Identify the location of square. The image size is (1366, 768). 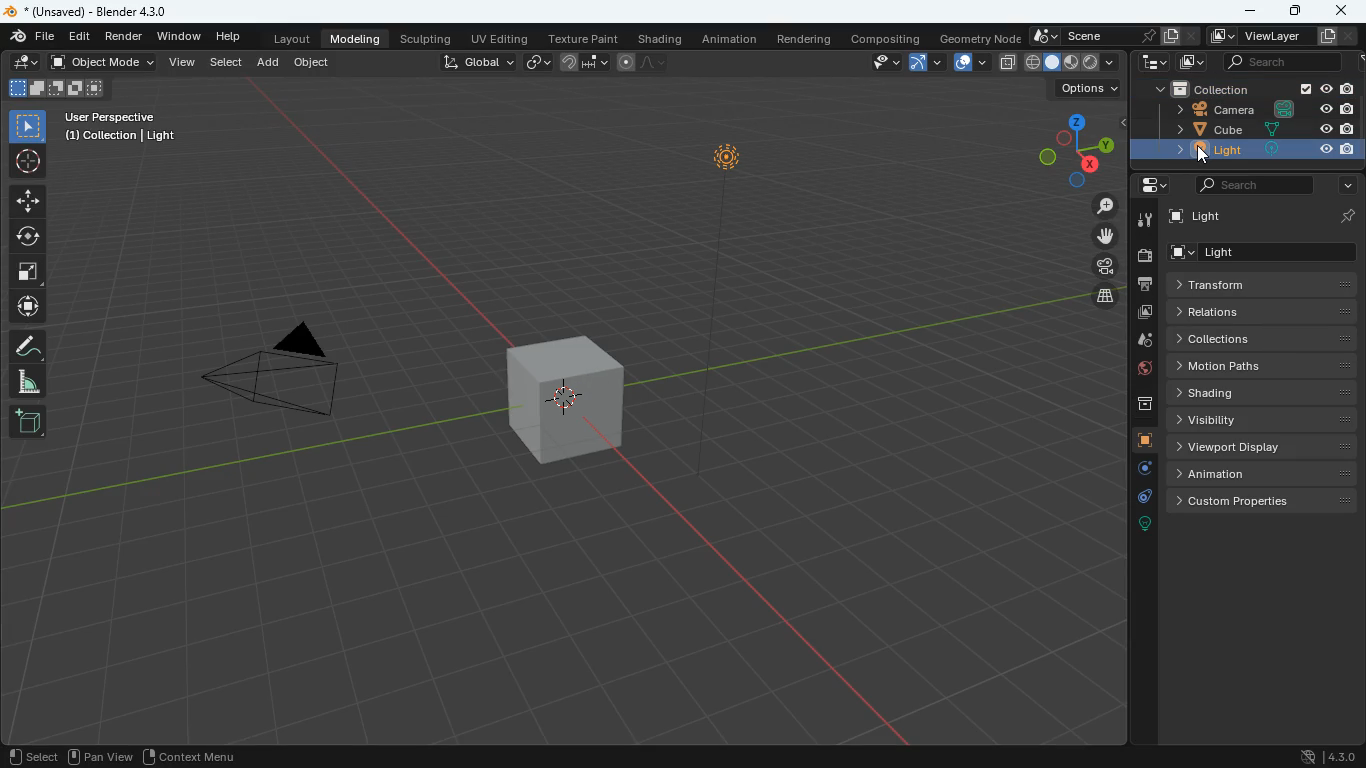
(26, 273).